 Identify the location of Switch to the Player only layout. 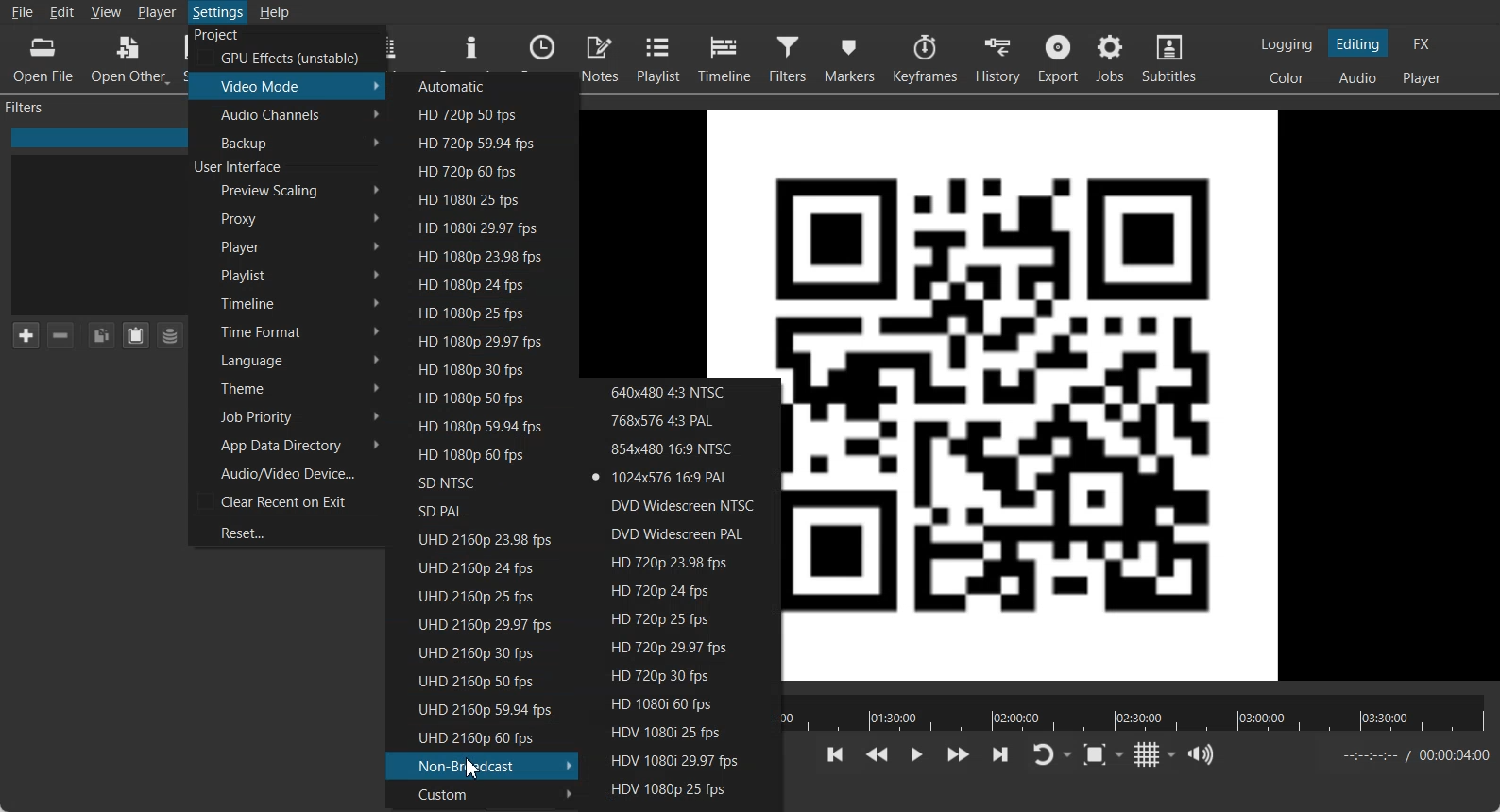
(1423, 79).